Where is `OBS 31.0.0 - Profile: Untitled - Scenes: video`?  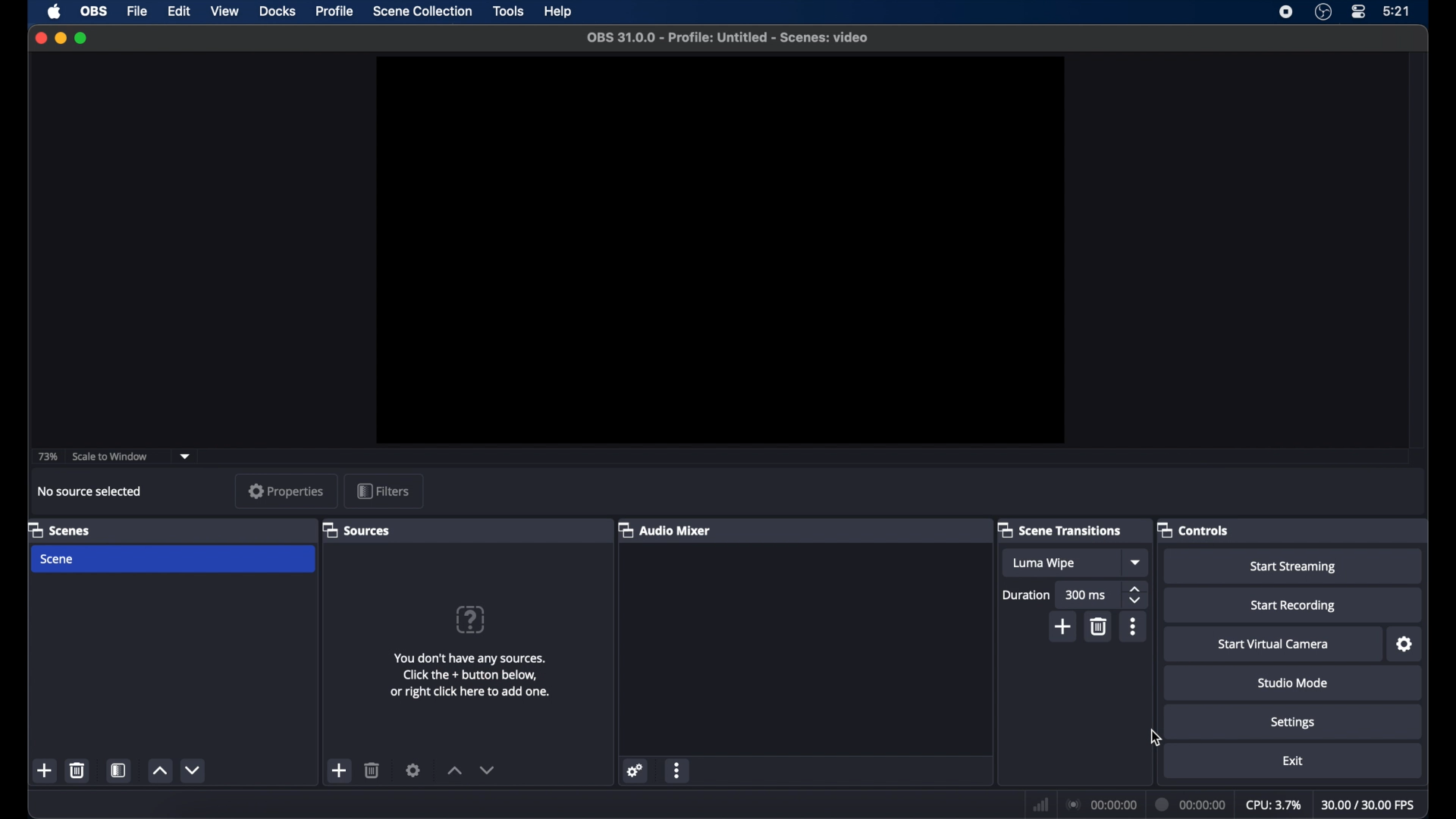
OBS 31.0.0 - Profile: Untitled - Scenes: video is located at coordinates (727, 37).